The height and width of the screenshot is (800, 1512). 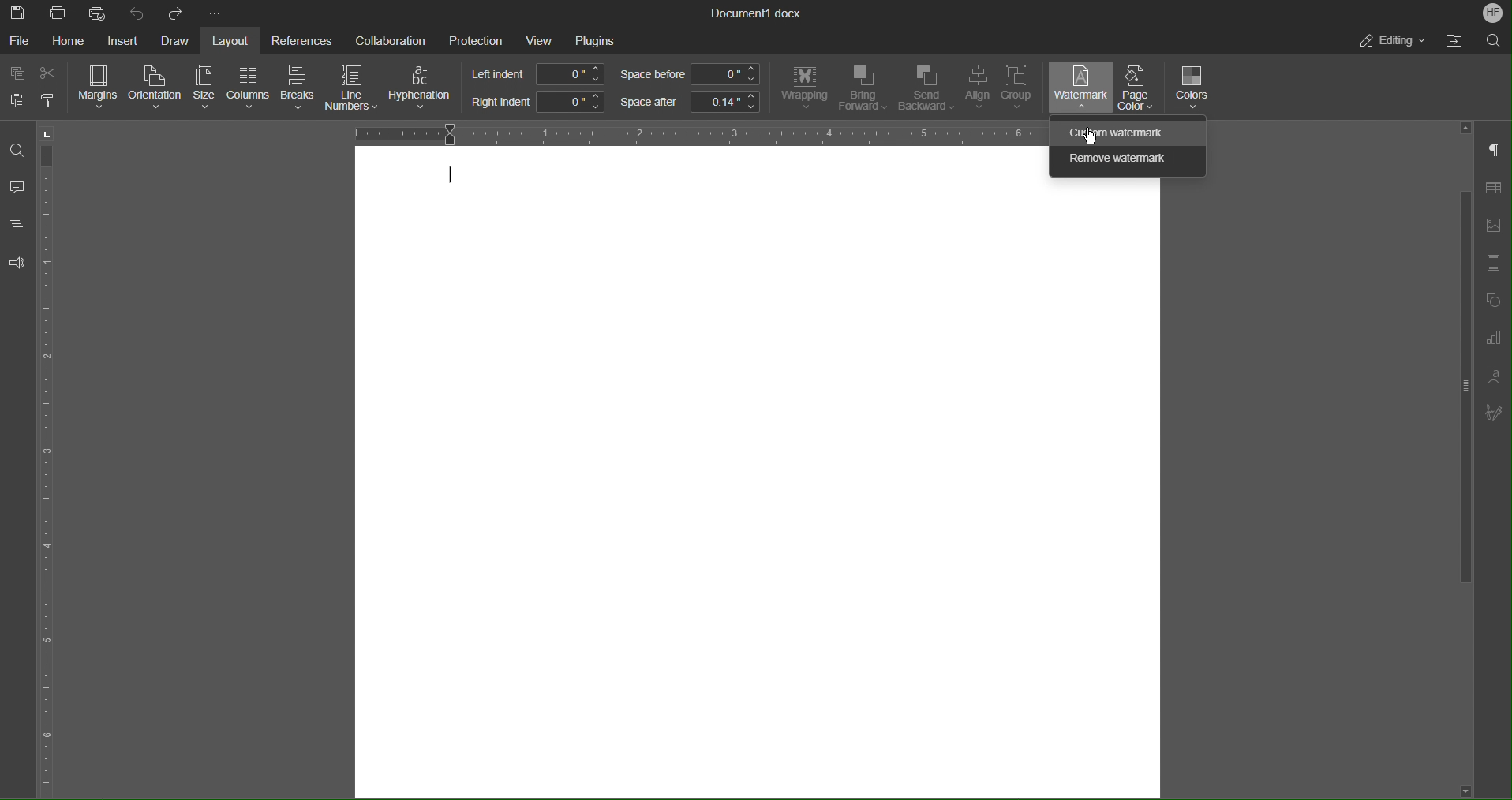 I want to click on Print, so click(x=59, y=13).